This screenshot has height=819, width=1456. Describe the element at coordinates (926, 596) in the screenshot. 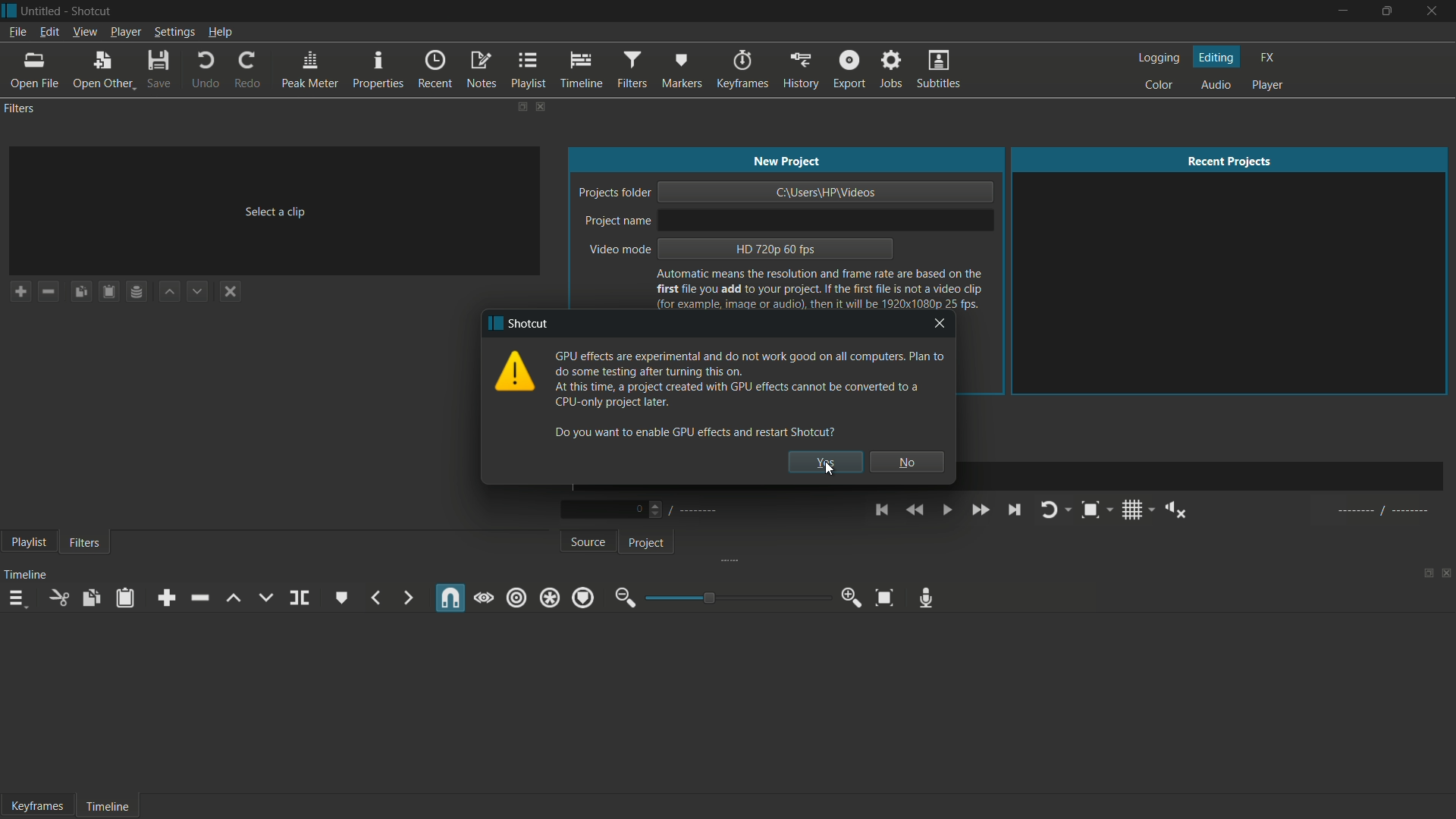

I see `record audio` at that location.